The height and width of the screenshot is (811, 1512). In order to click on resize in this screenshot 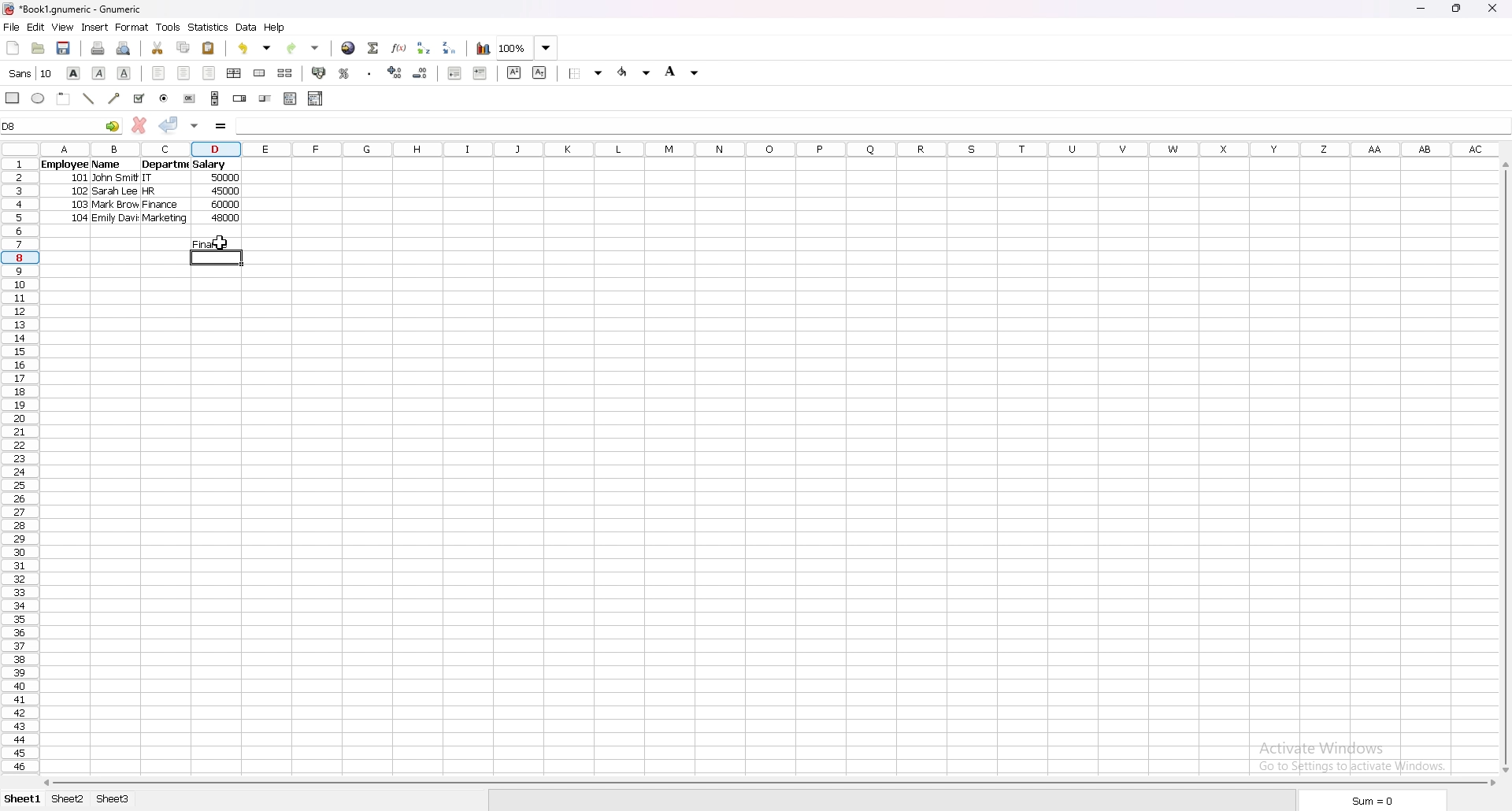, I will do `click(1458, 9)`.